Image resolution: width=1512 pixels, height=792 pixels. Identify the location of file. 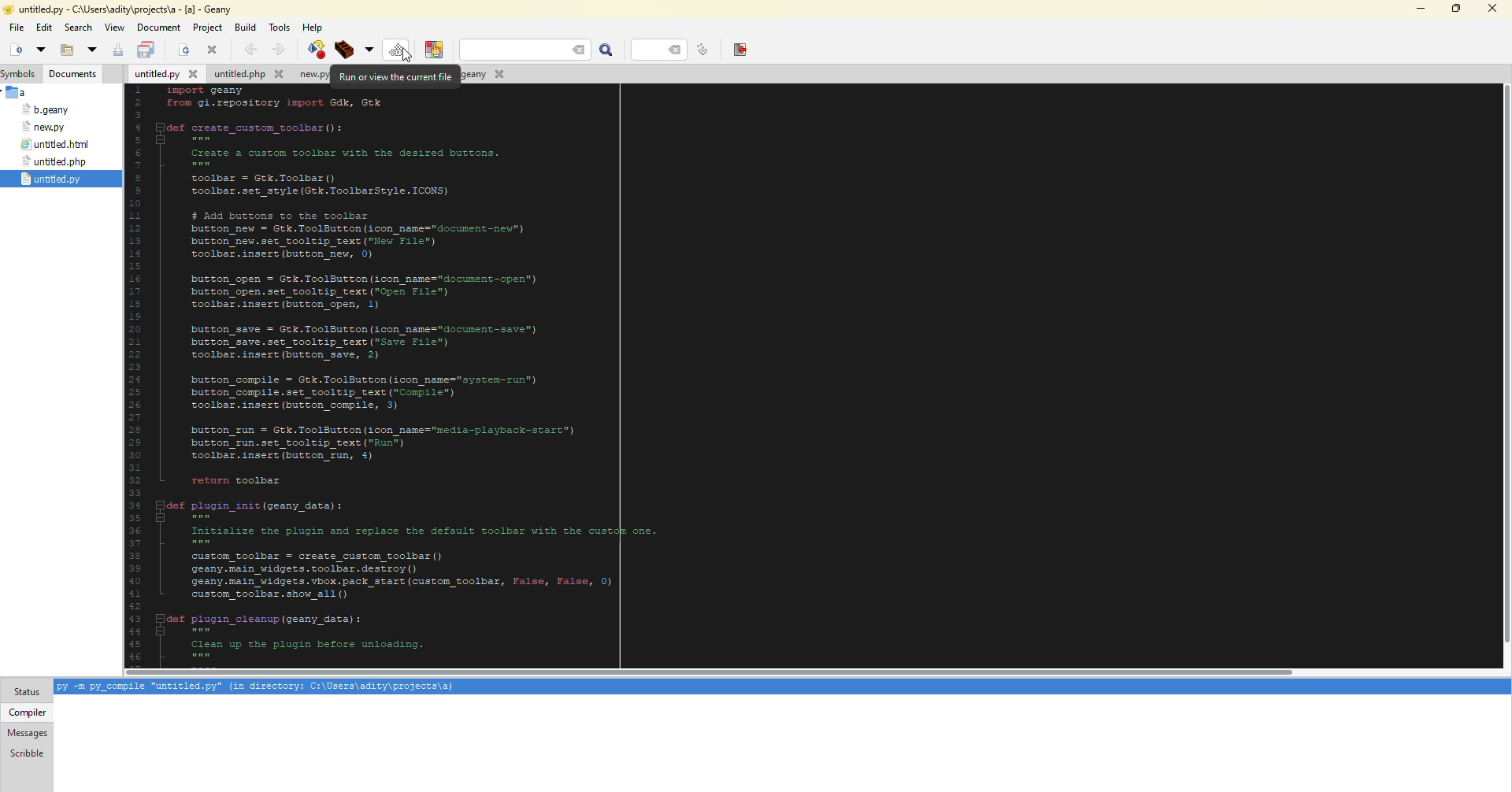
(46, 109).